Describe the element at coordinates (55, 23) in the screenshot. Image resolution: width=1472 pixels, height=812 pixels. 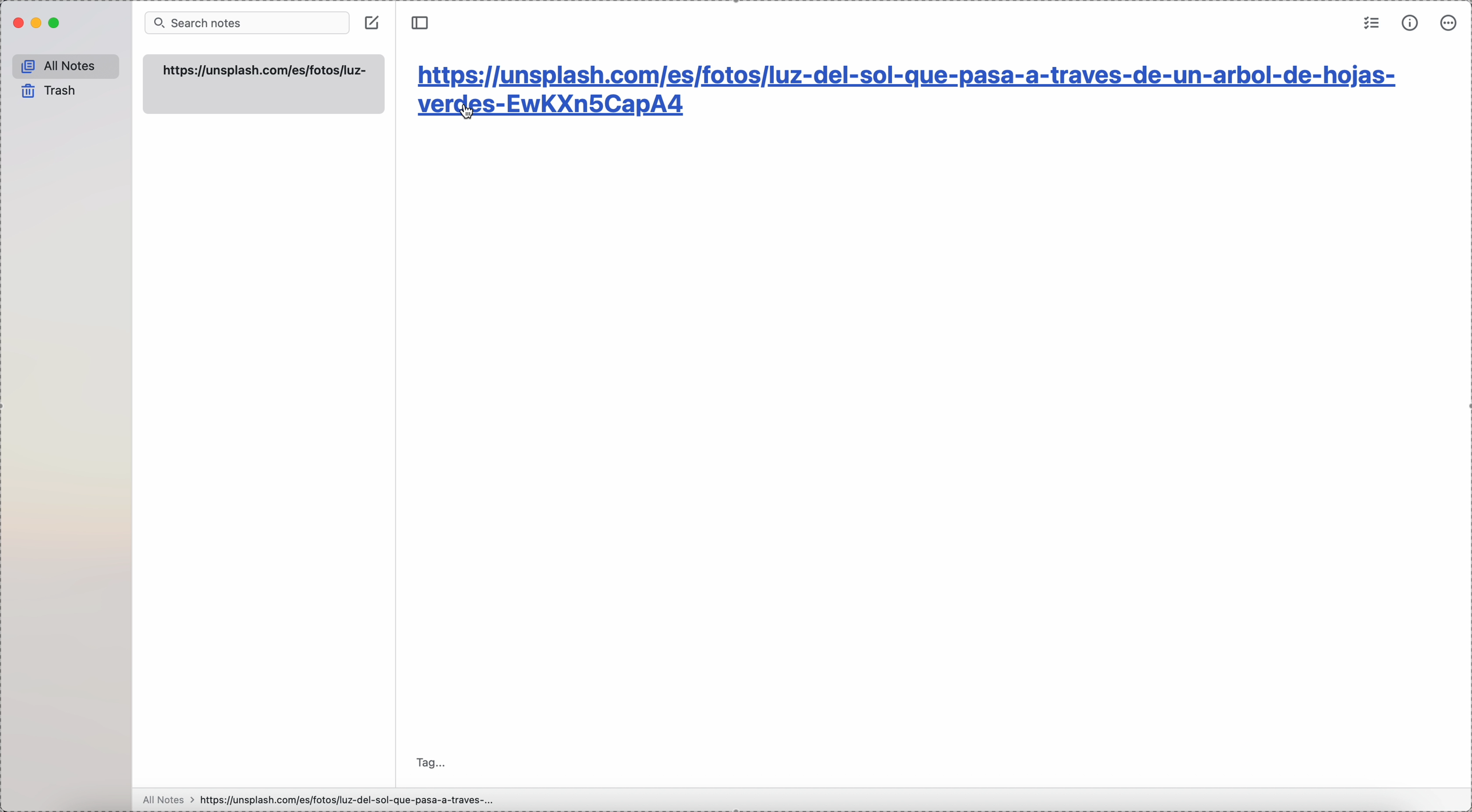
I see `maximize Simplenote` at that location.